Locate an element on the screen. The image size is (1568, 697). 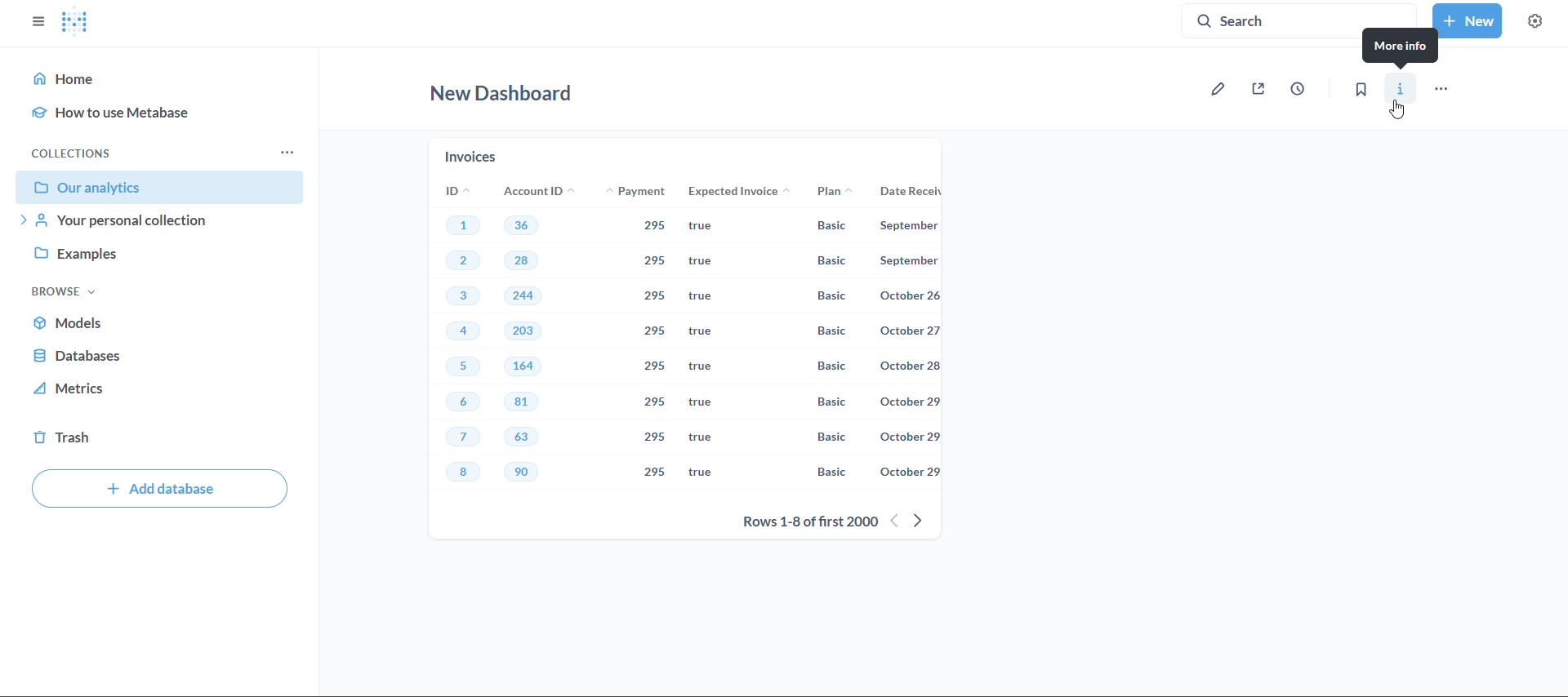
true is located at coordinates (708, 228).